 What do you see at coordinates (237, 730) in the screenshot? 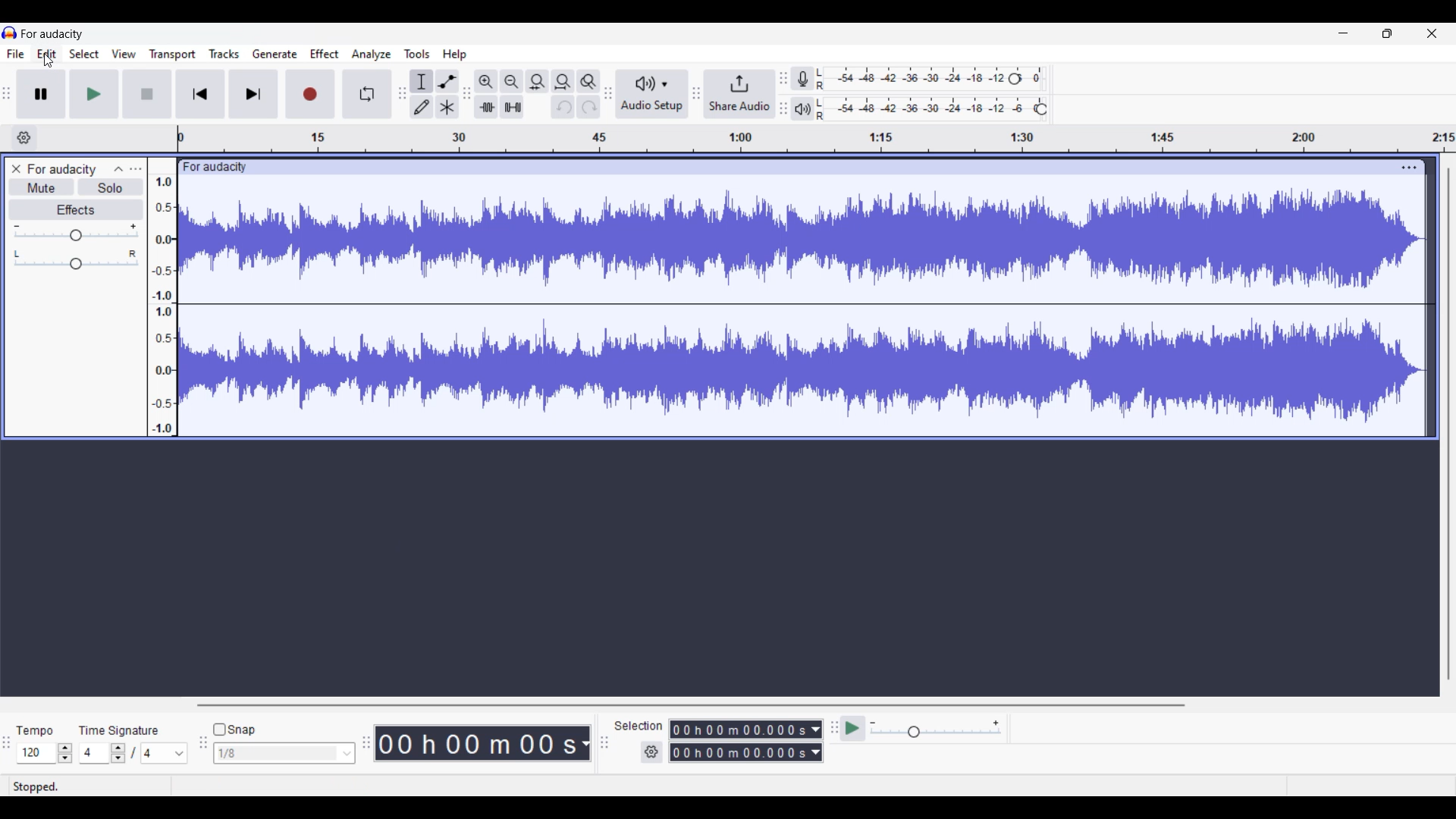
I see `Snap toggle` at bounding box center [237, 730].